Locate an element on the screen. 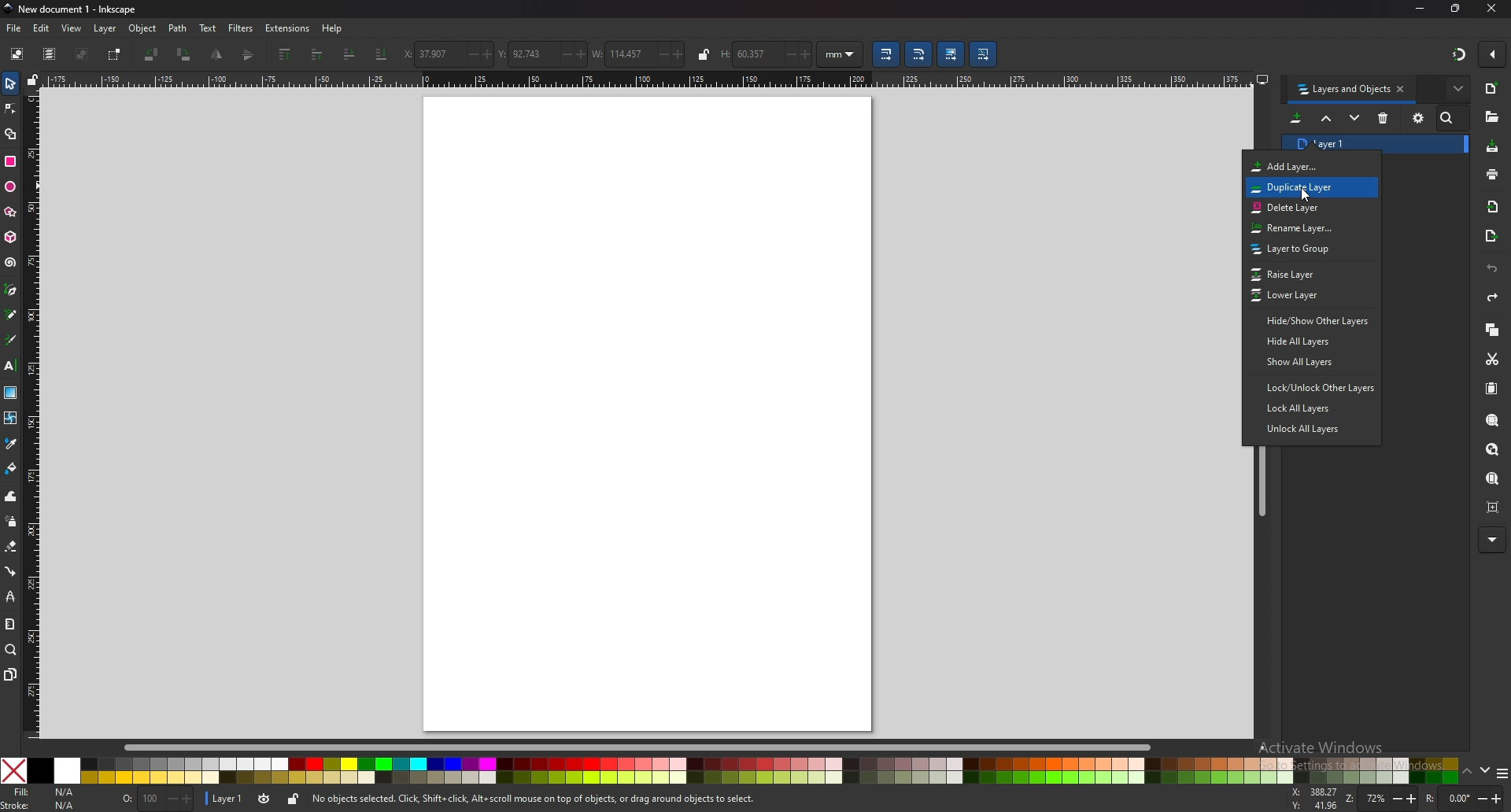  down is located at coordinates (1483, 770).